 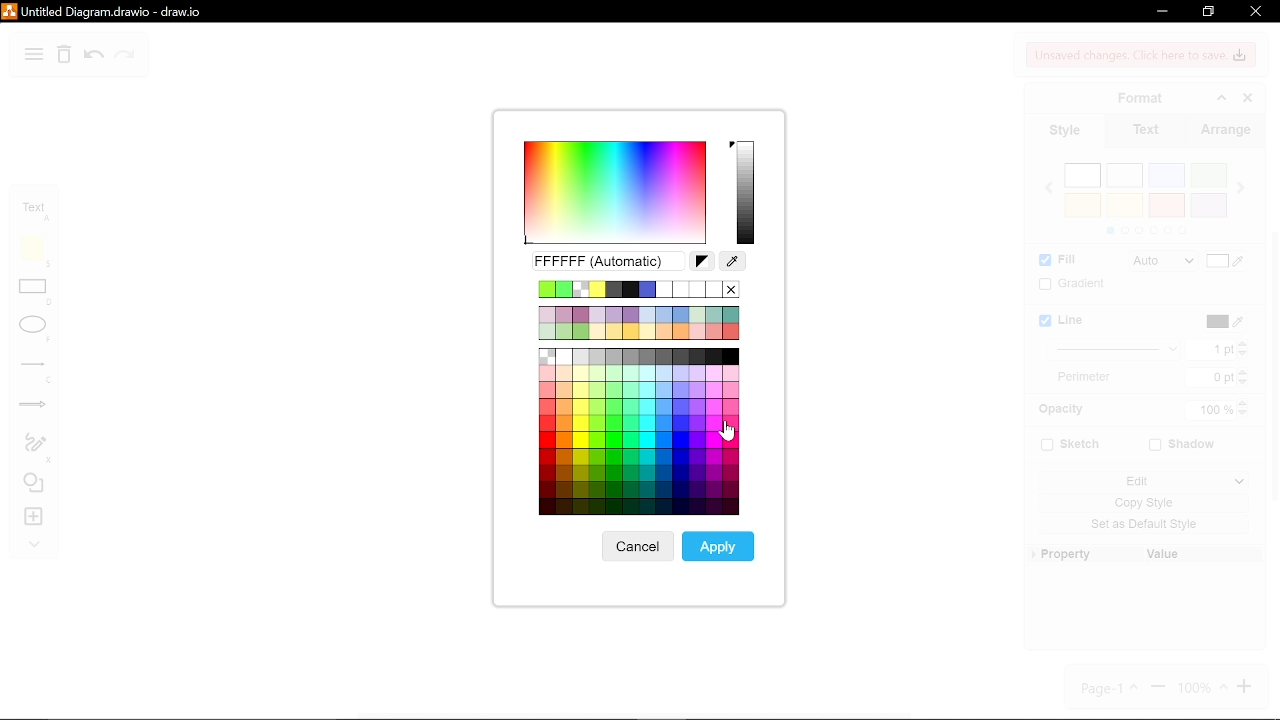 What do you see at coordinates (1210, 12) in the screenshot?
I see `restore down` at bounding box center [1210, 12].